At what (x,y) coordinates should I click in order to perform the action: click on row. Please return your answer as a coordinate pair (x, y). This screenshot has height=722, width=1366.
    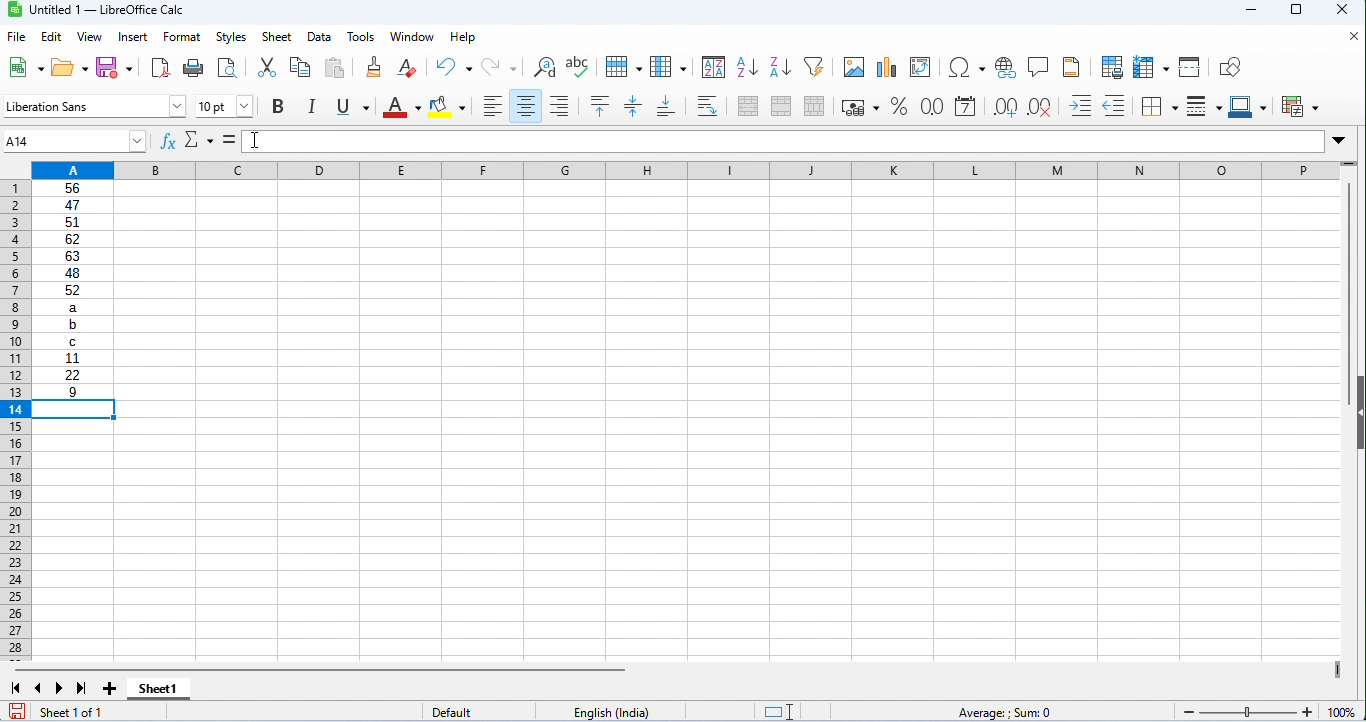
    Looking at the image, I should click on (622, 65).